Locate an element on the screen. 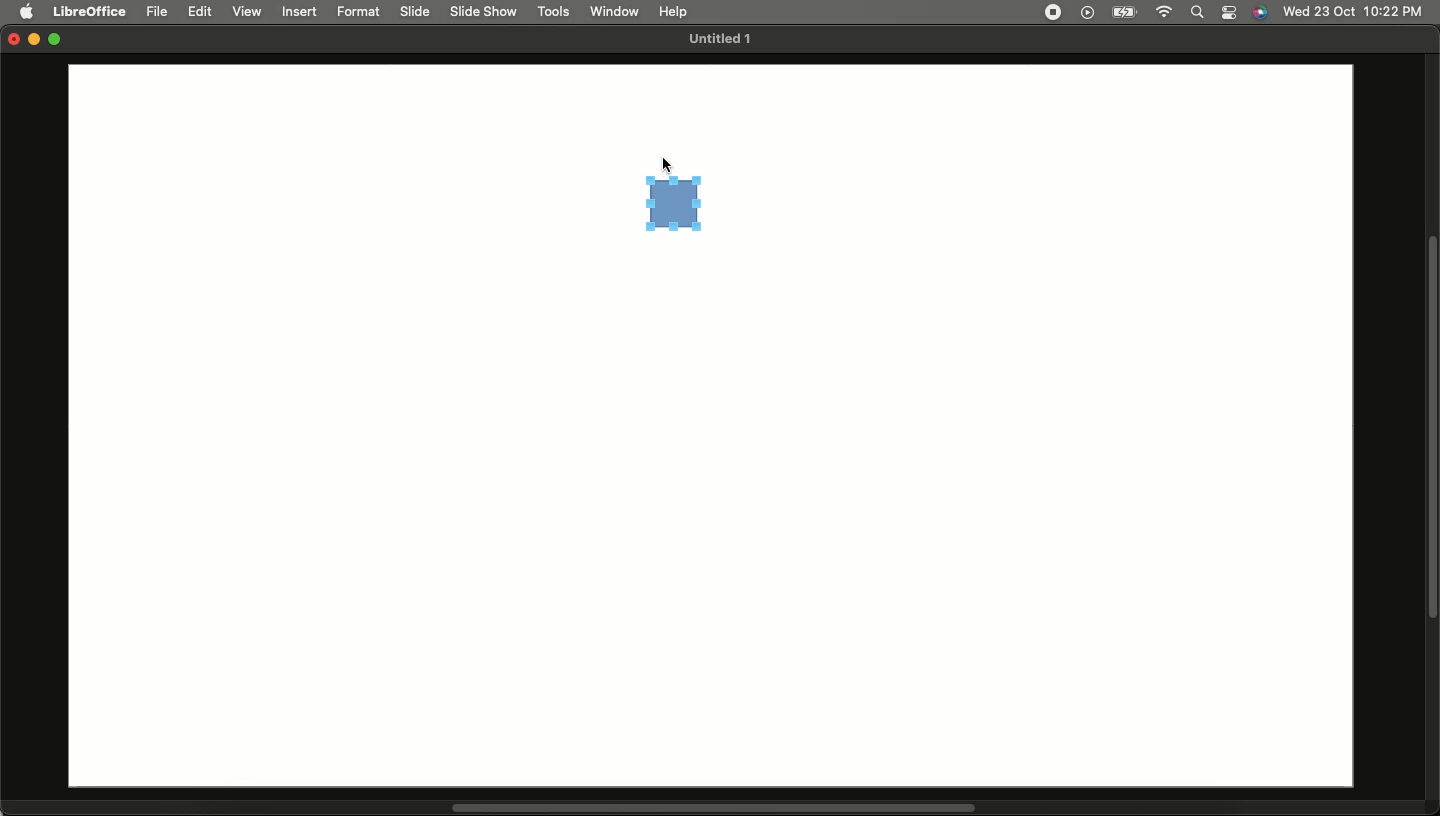 This screenshot has height=816, width=1440. LibreOffice is located at coordinates (90, 9).